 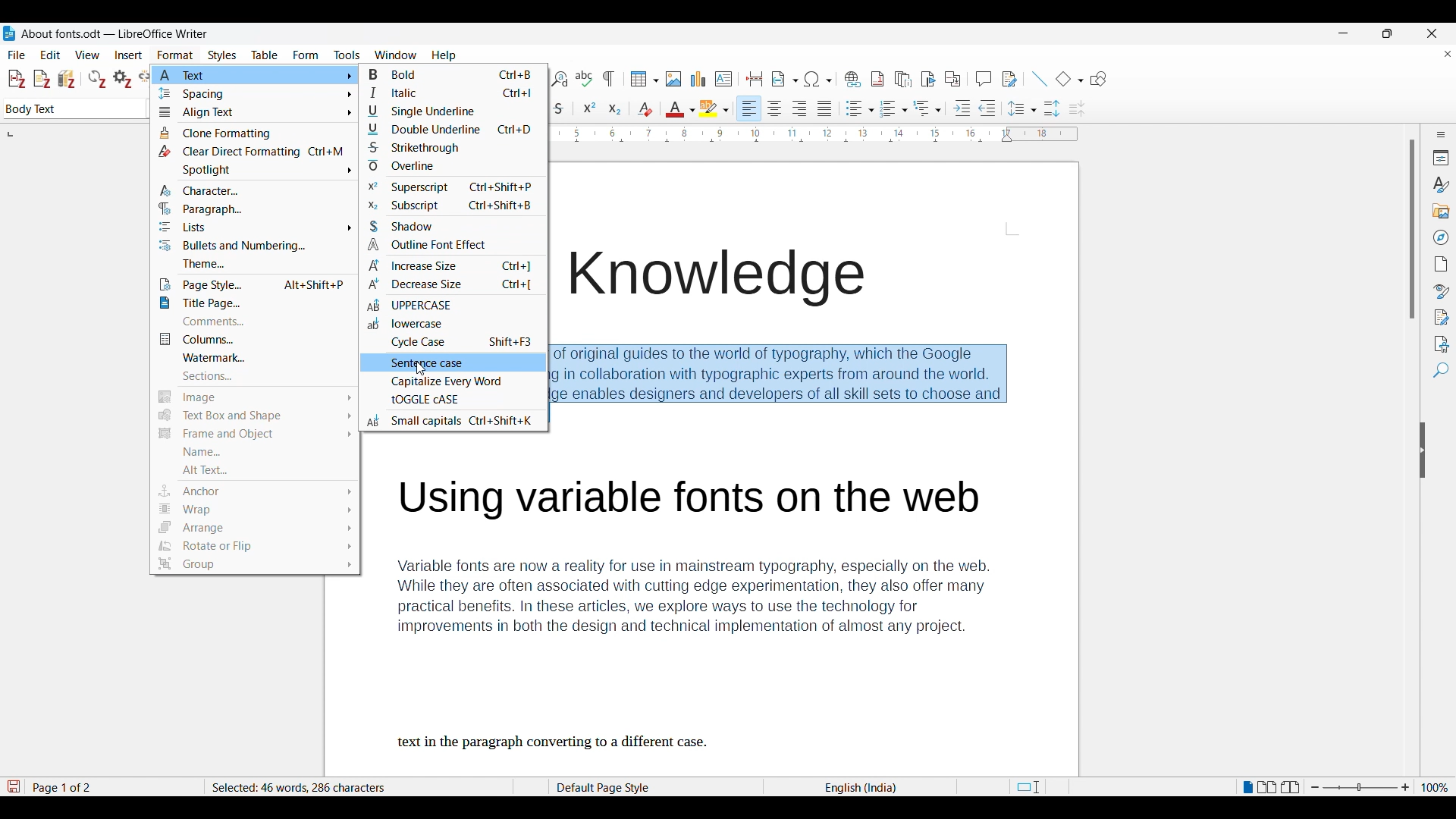 What do you see at coordinates (1098, 79) in the screenshot?
I see `Show draw functions` at bounding box center [1098, 79].